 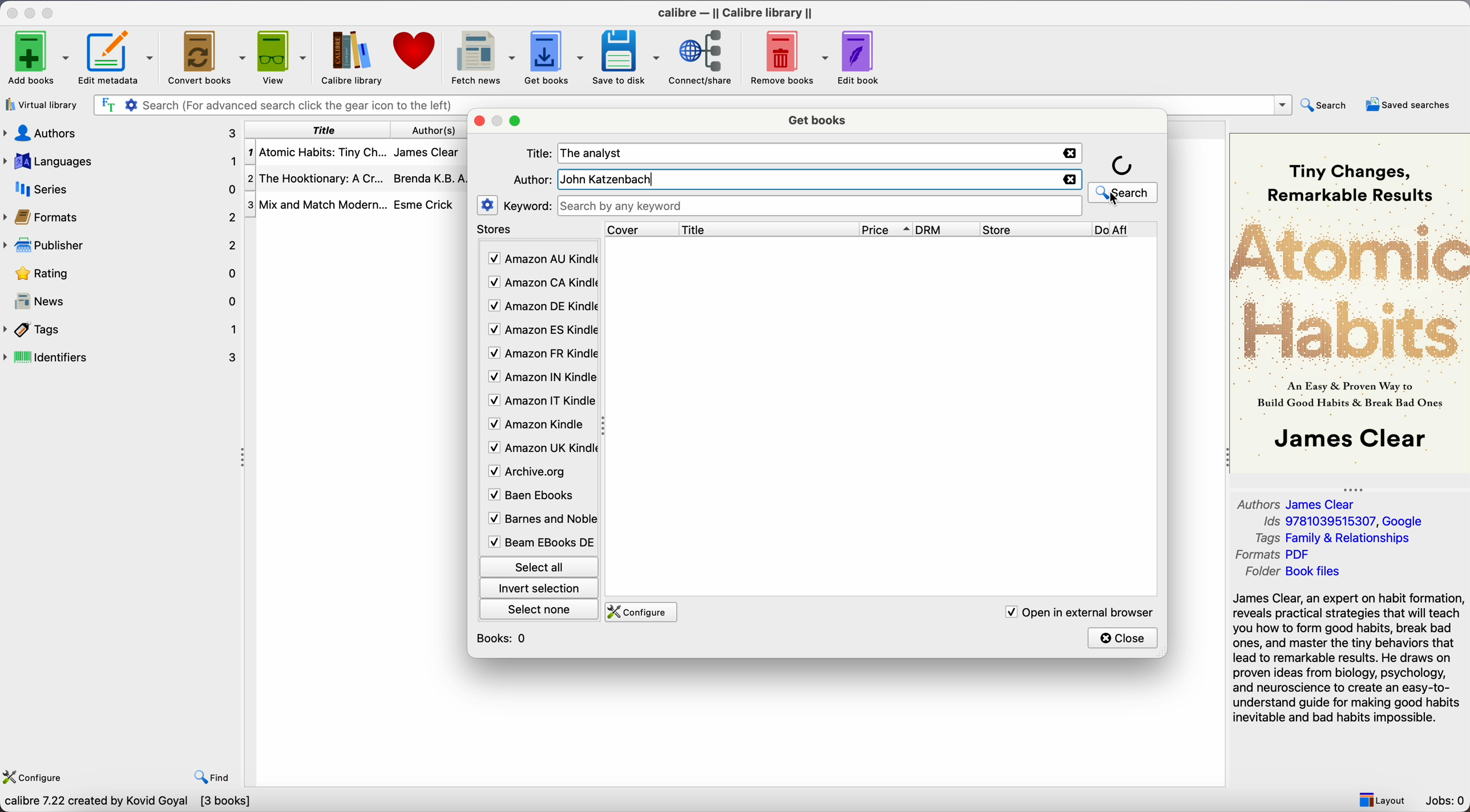 What do you see at coordinates (1350, 302) in the screenshot?
I see `Book cover preview` at bounding box center [1350, 302].